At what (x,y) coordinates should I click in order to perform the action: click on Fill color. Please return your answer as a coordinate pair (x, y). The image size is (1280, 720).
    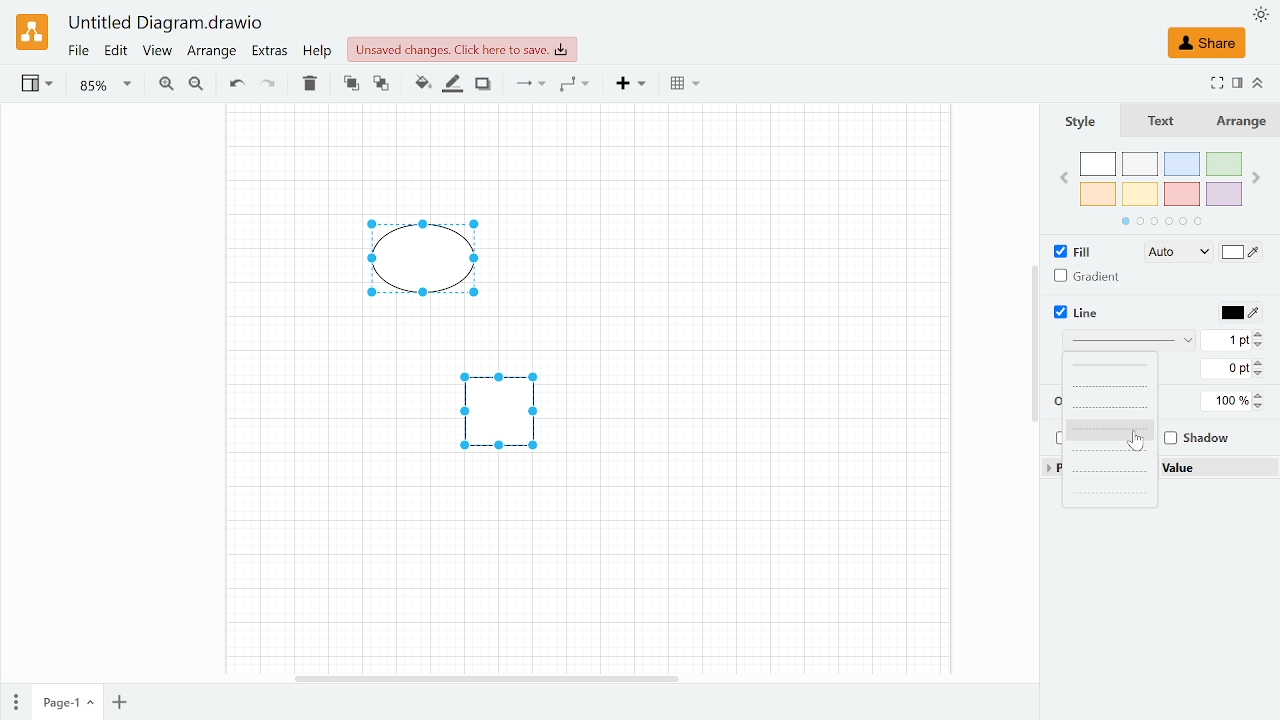
    Looking at the image, I should click on (1242, 254).